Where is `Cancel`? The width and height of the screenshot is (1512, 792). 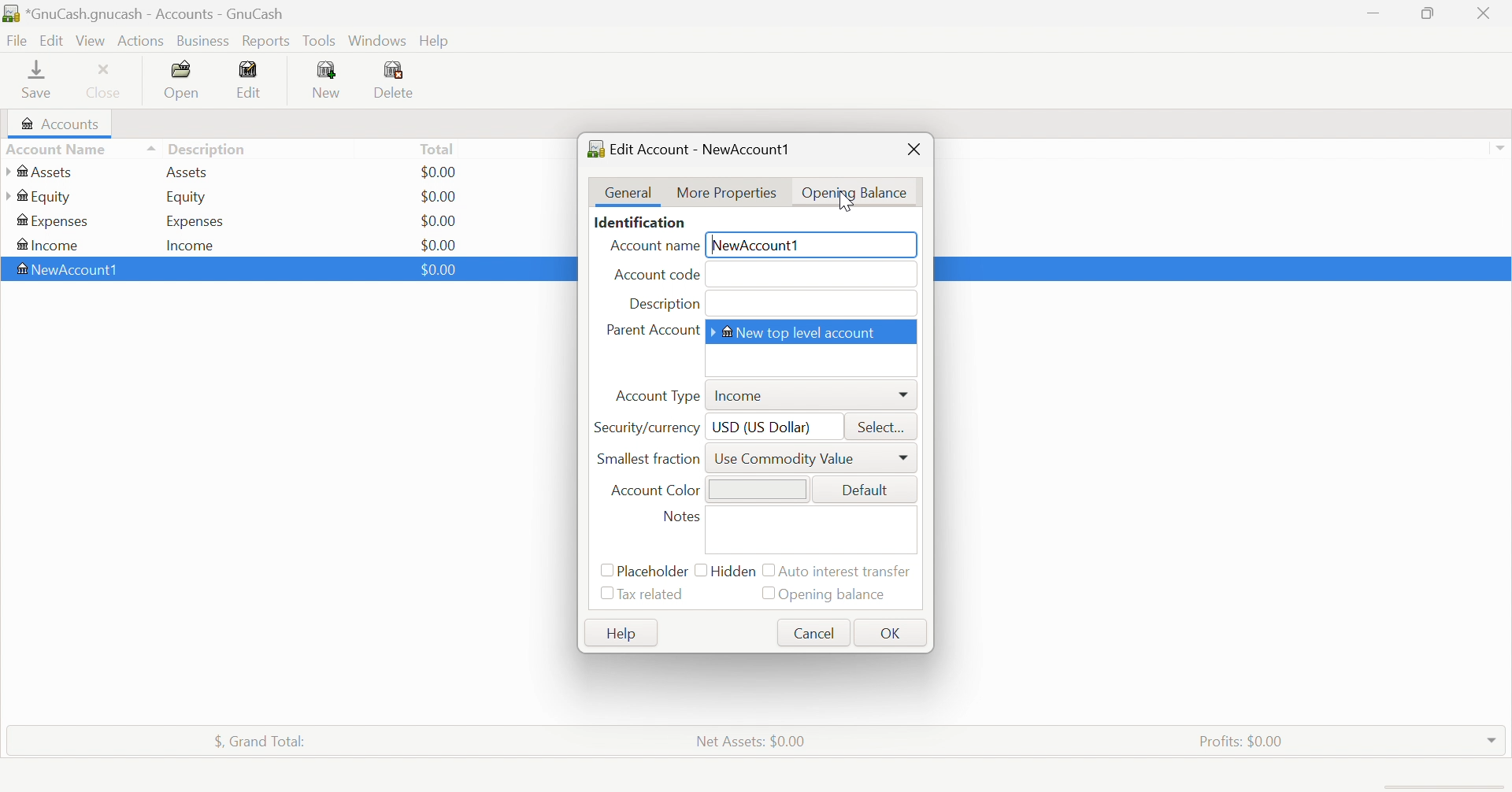
Cancel is located at coordinates (811, 634).